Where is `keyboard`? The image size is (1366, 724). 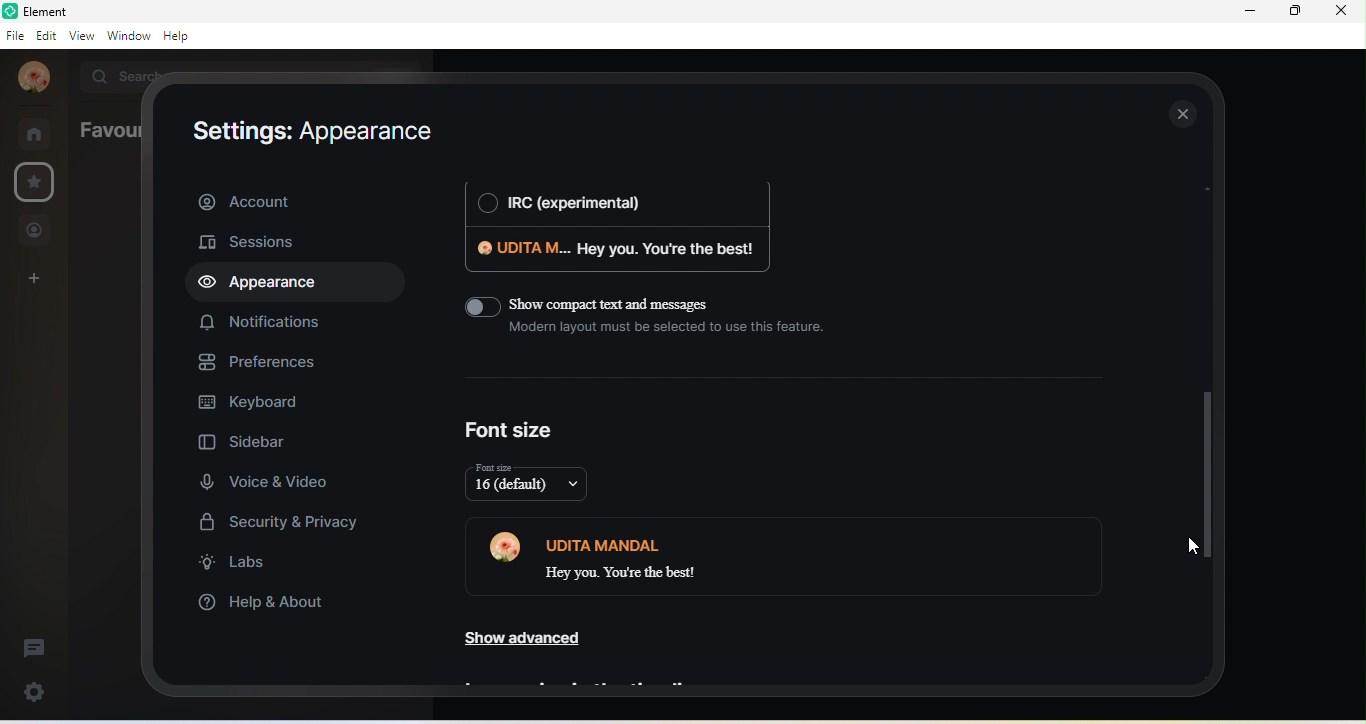 keyboard is located at coordinates (251, 402).